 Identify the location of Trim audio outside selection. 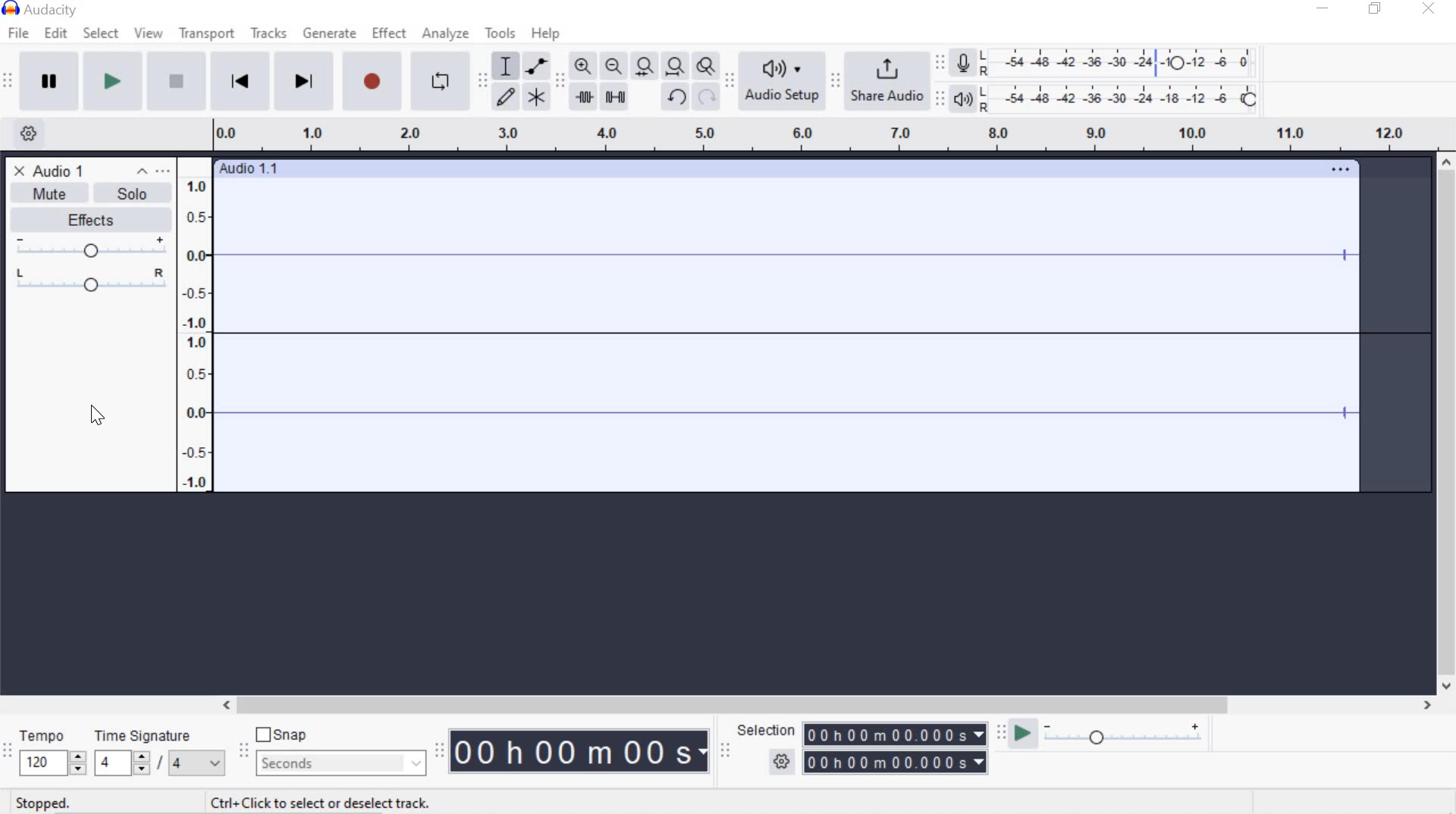
(583, 95).